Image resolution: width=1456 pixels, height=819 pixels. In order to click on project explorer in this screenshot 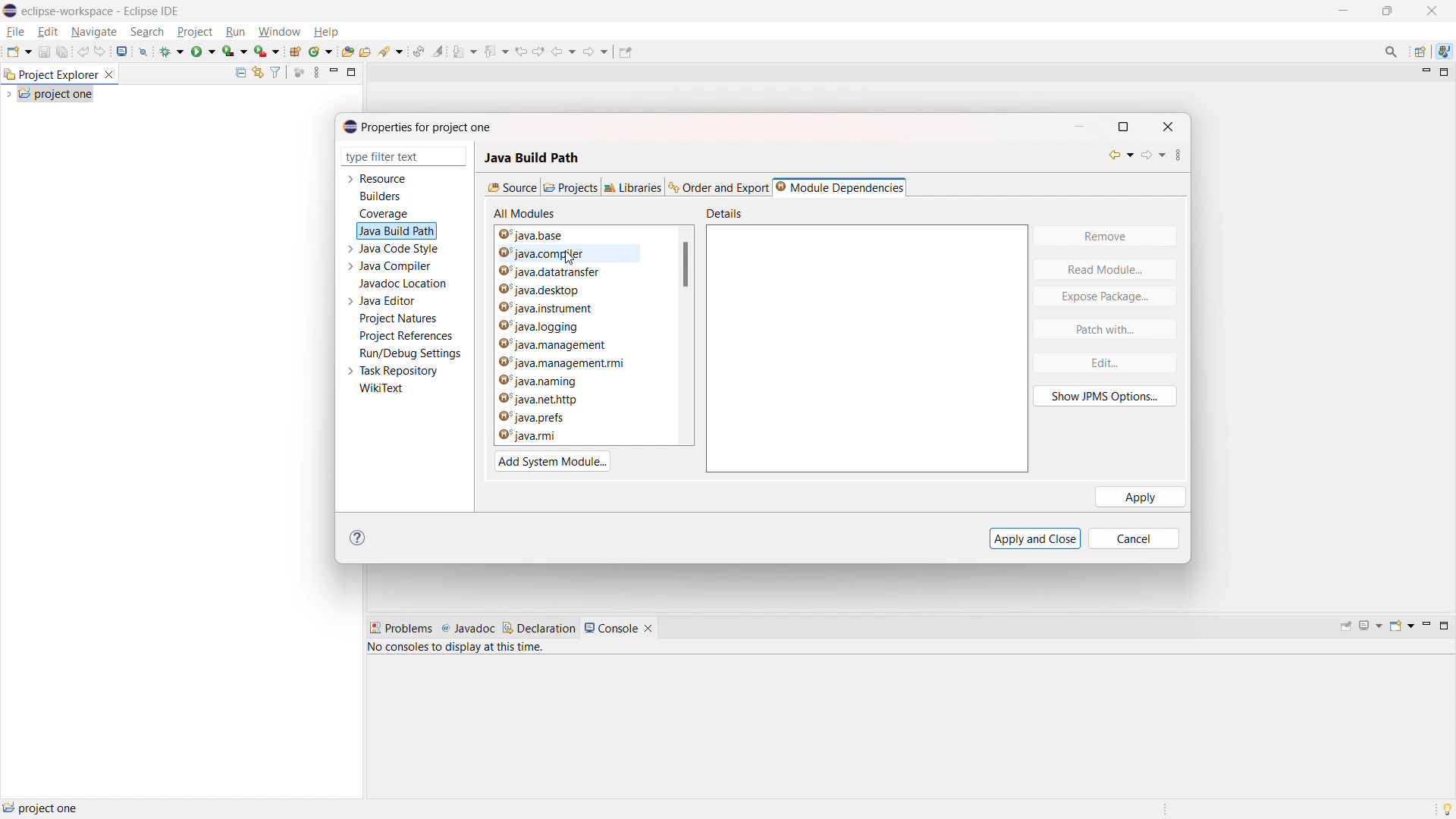, I will do `click(50, 74)`.